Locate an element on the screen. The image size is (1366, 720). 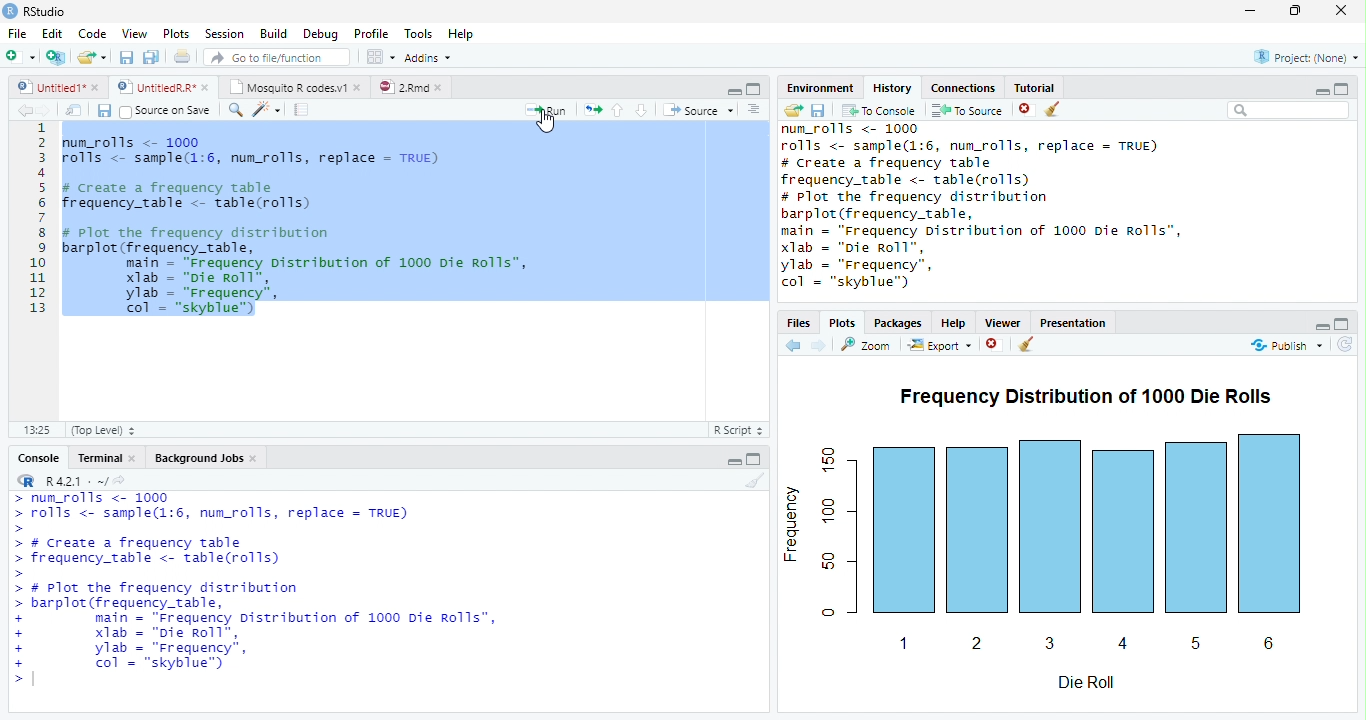
Clear is located at coordinates (754, 480).